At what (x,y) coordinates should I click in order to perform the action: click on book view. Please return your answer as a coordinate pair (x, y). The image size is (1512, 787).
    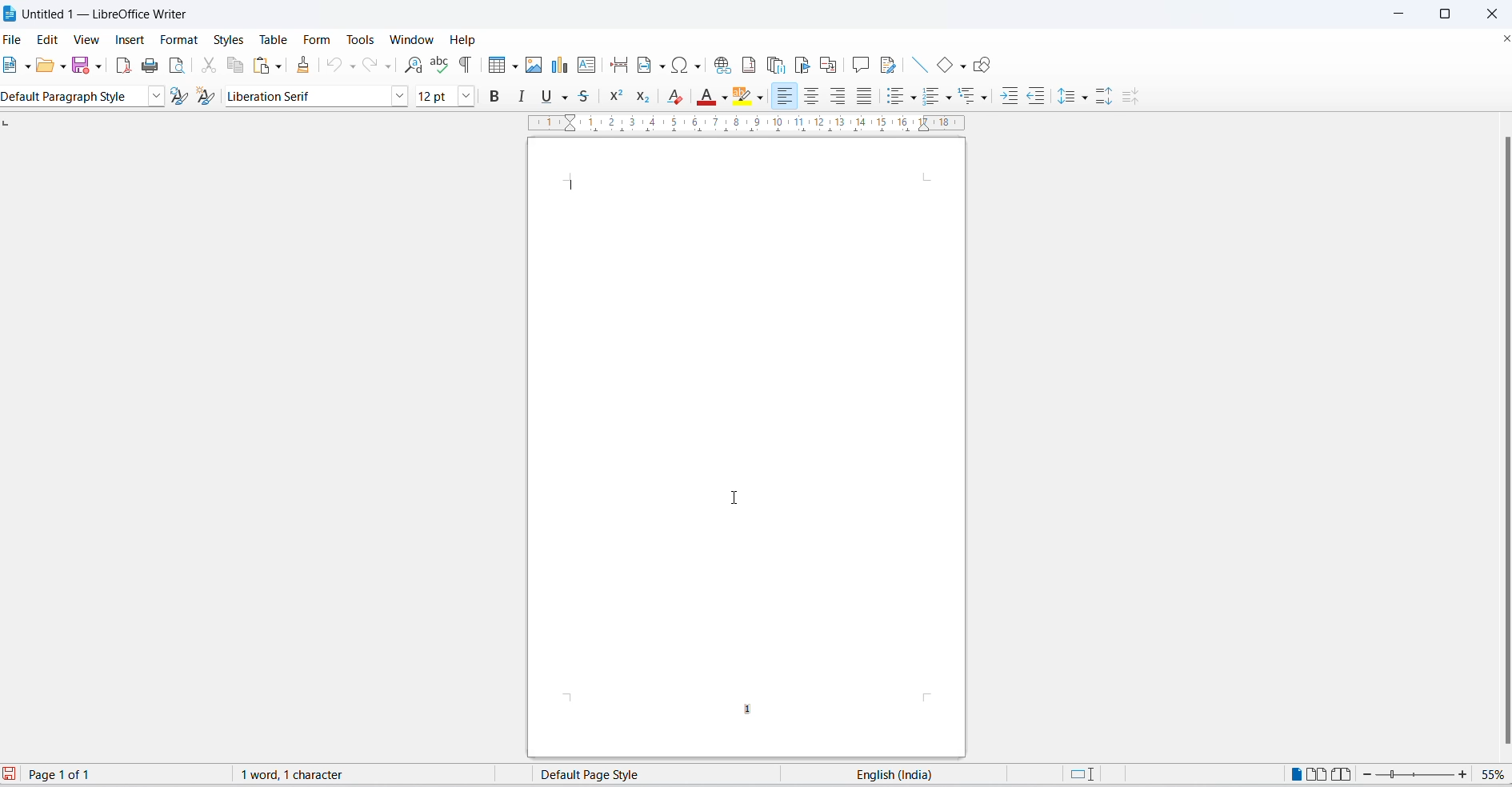
    Looking at the image, I should click on (1346, 775).